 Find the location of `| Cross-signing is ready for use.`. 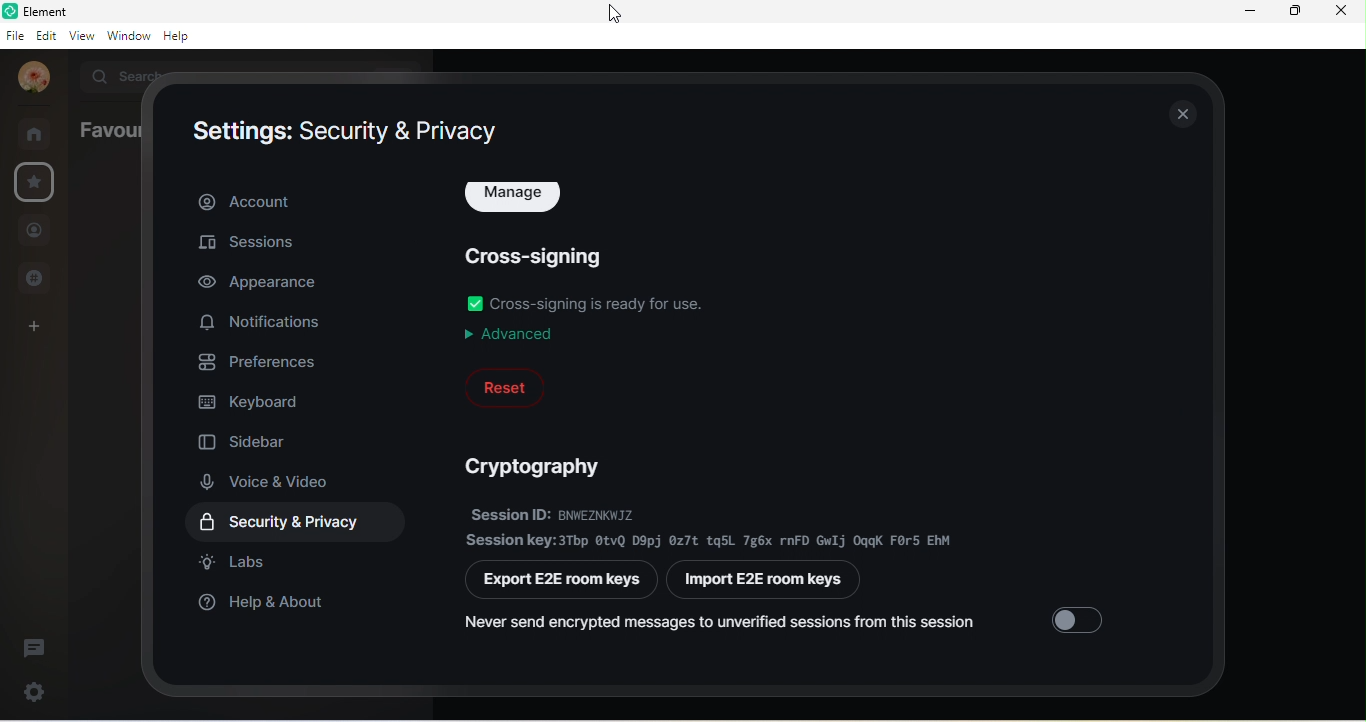

| Cross-signing is ready for use. is located at coordinates (598, 305).